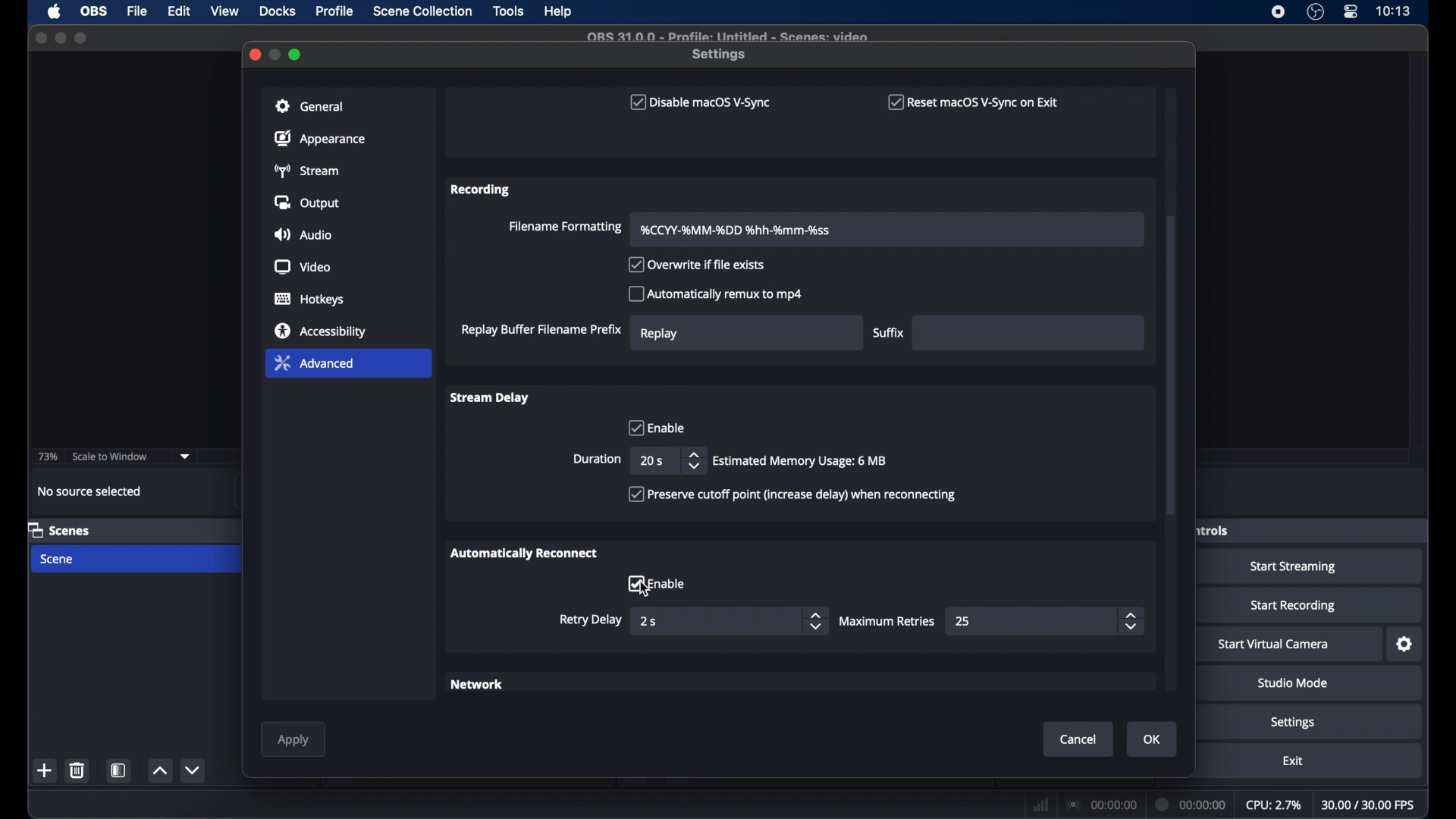 The image size is (1456, 819). What do you see at coordinates (310, 106) in the screenshot?
I see `general` at bounding box center [310, 106].